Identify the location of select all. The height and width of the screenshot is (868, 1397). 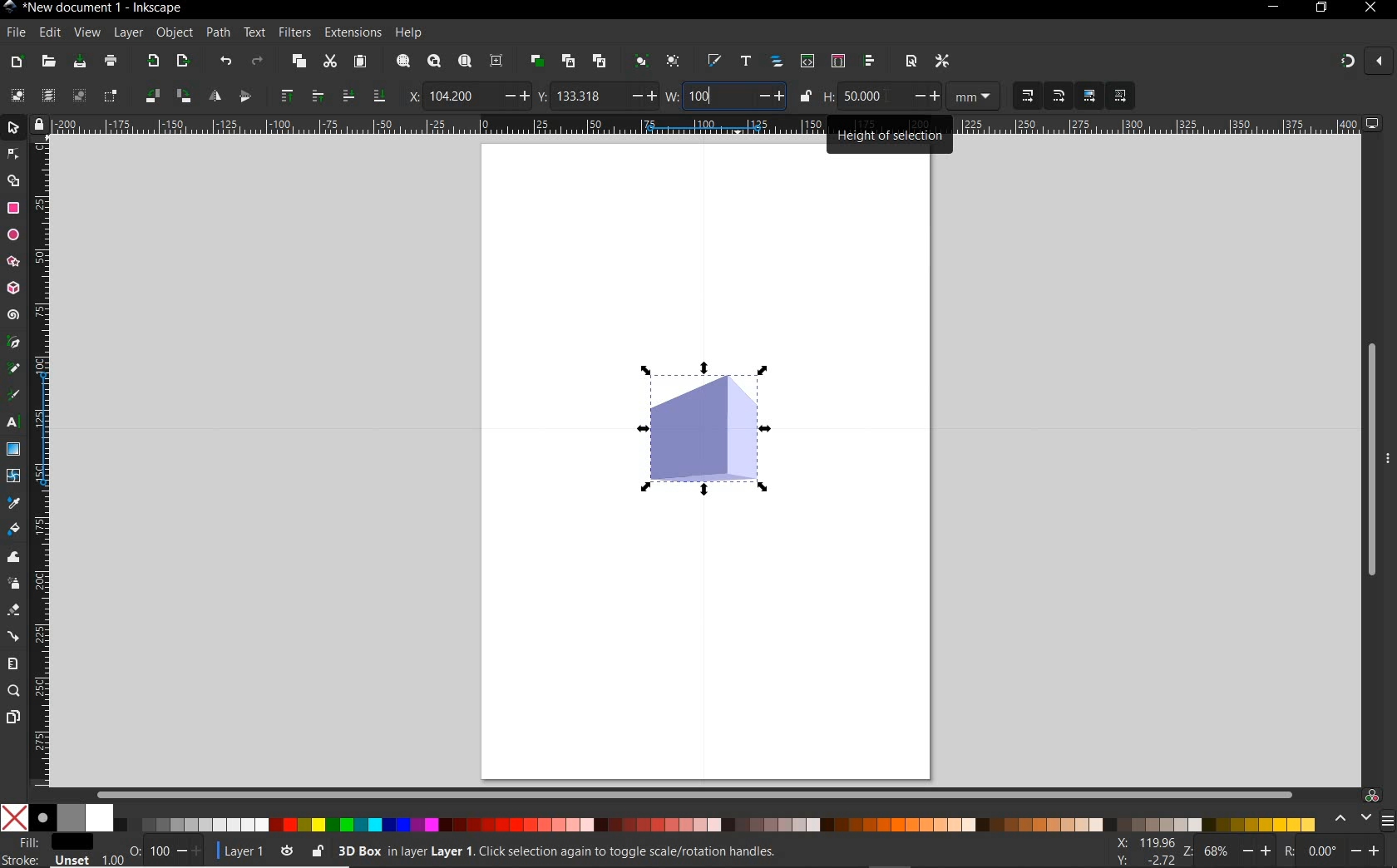
(18, 93).